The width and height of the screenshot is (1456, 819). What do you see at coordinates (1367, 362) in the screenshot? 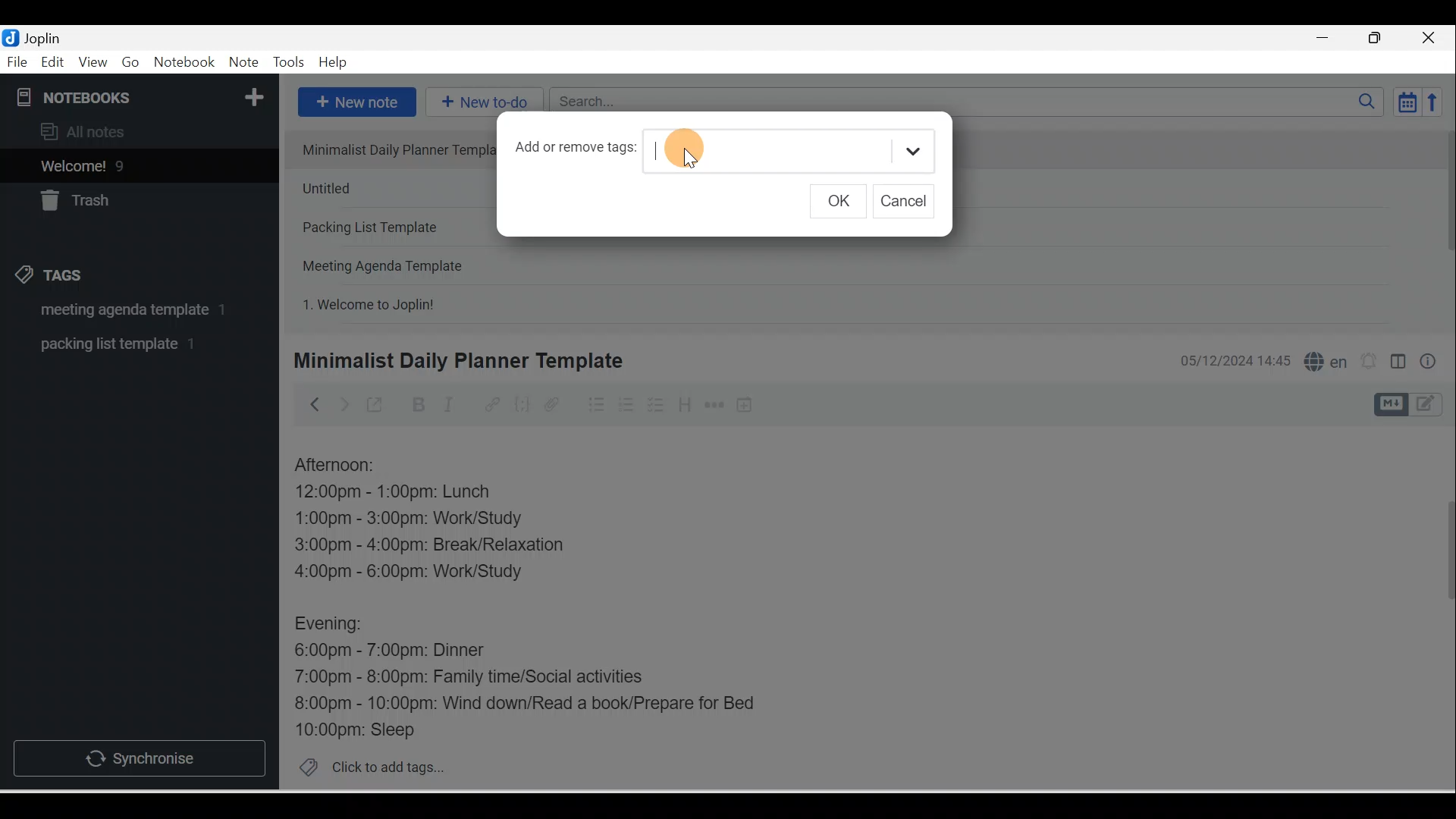
I see `Set alarm` at bounding box center [1367, 362].